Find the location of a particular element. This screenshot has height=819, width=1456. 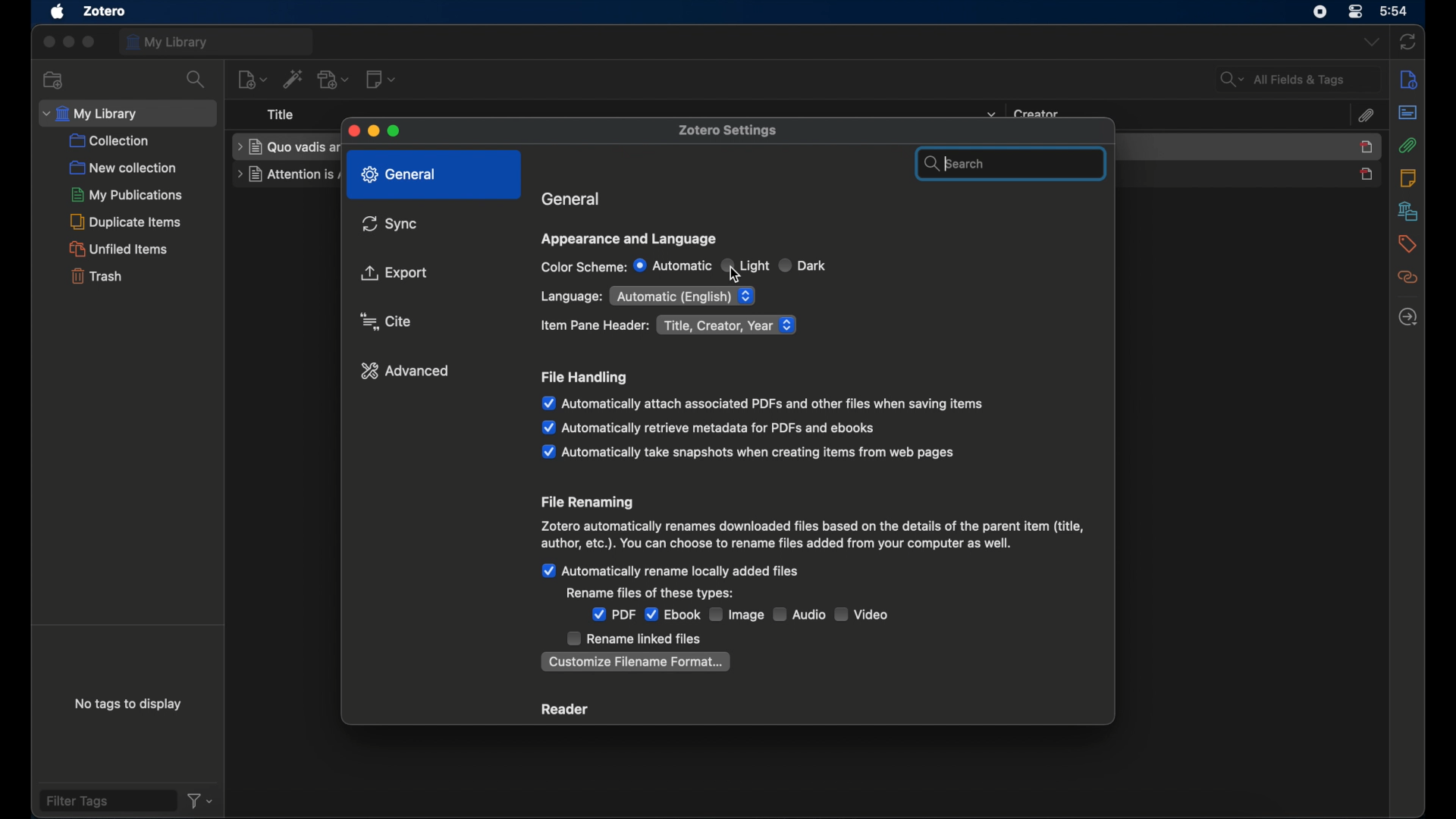

minimize is located at coordinates (69, 42).